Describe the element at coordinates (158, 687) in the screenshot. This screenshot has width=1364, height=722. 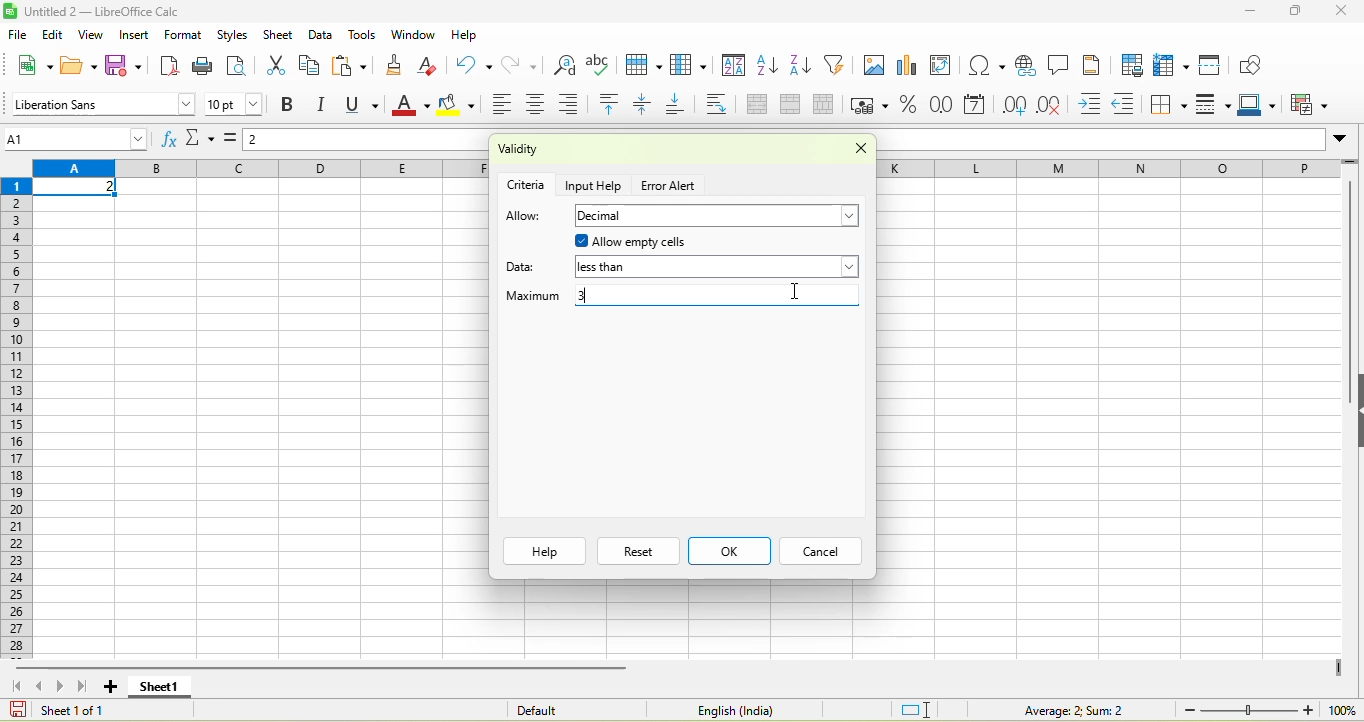
I see `sheet 1` at that location.